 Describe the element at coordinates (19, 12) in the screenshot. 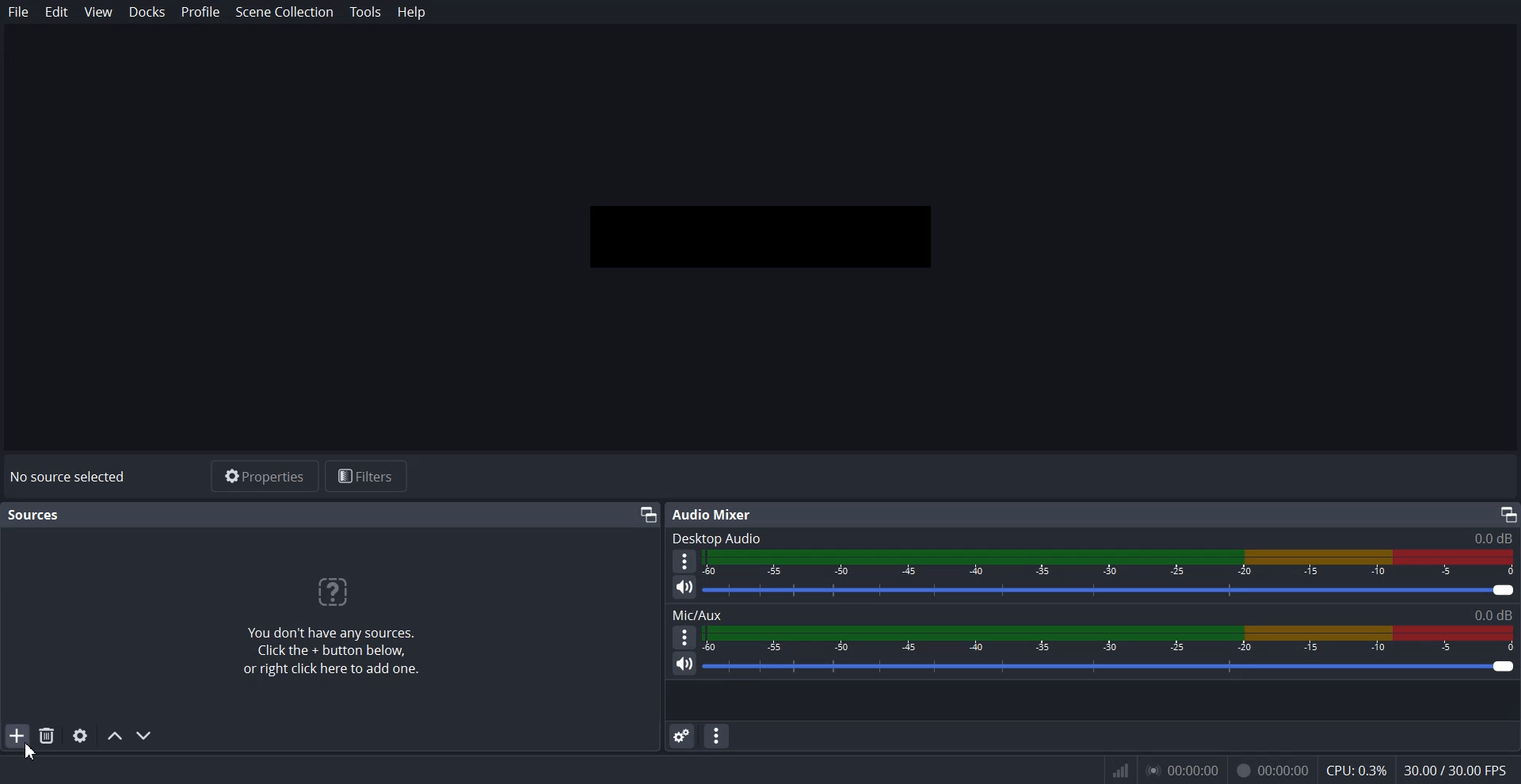

I see `File` at that location.